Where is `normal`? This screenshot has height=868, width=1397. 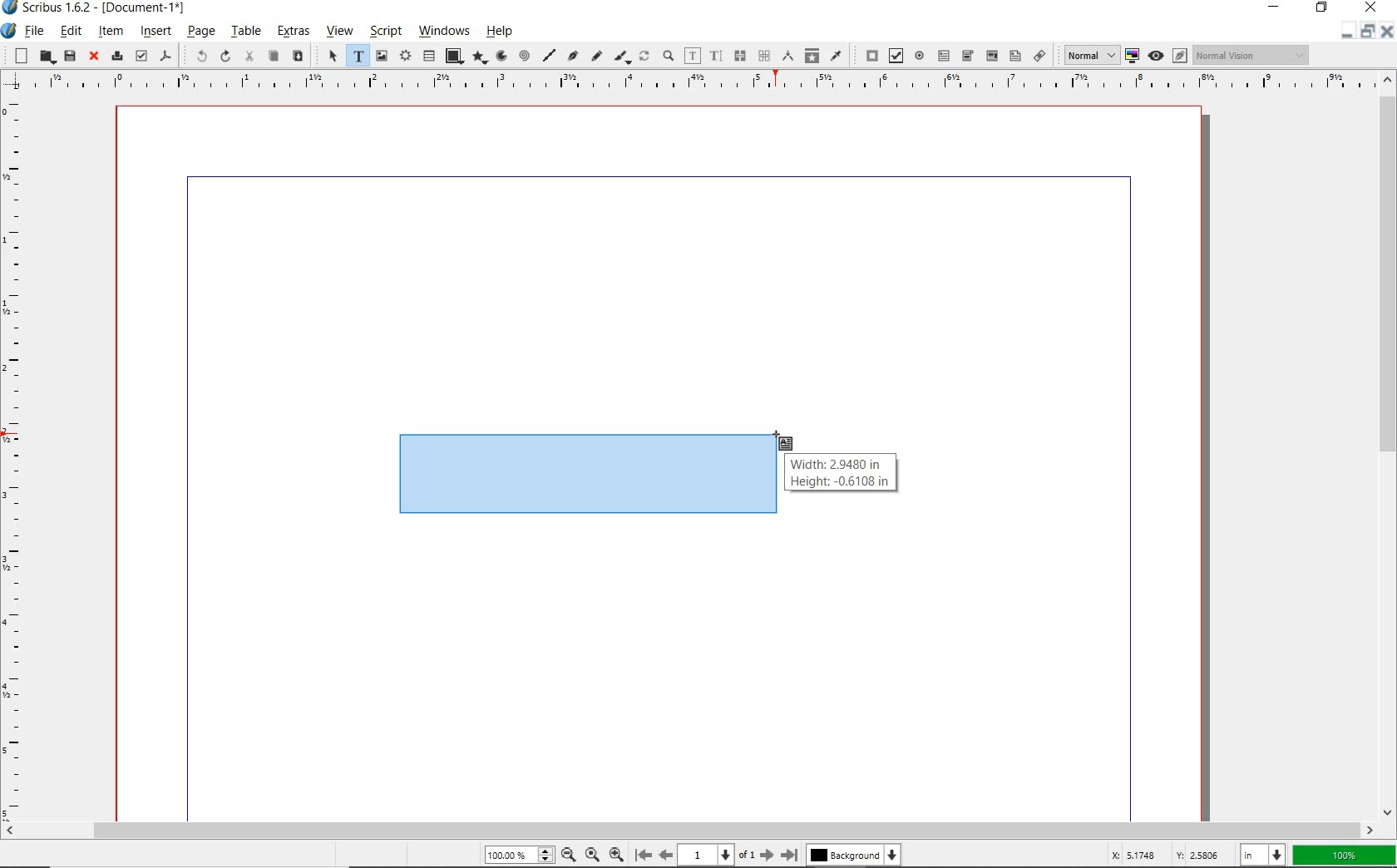
normal is located at coordinates (1088, 55).